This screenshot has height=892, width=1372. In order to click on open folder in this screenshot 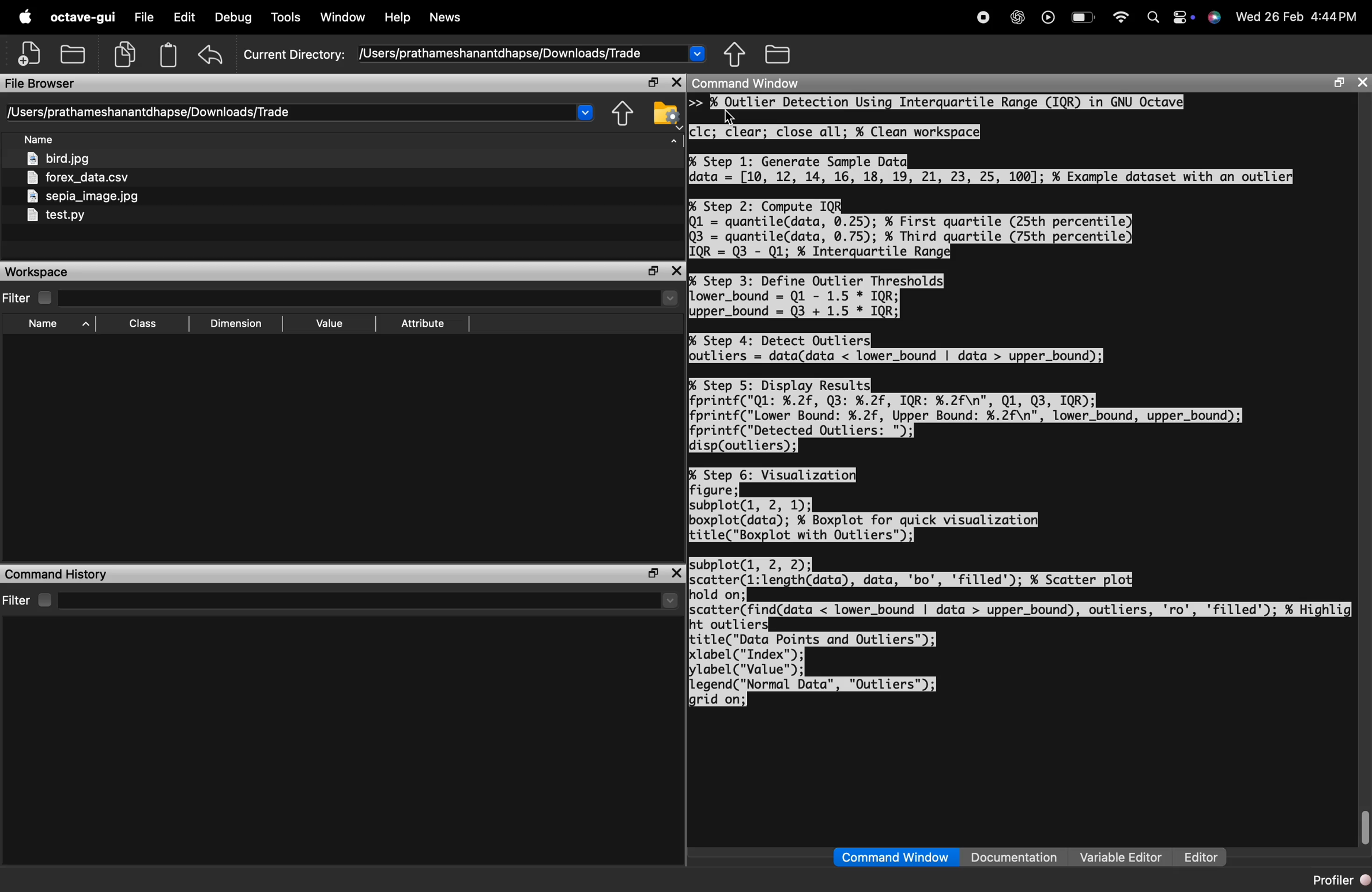, I will do `click(74, 52)`.